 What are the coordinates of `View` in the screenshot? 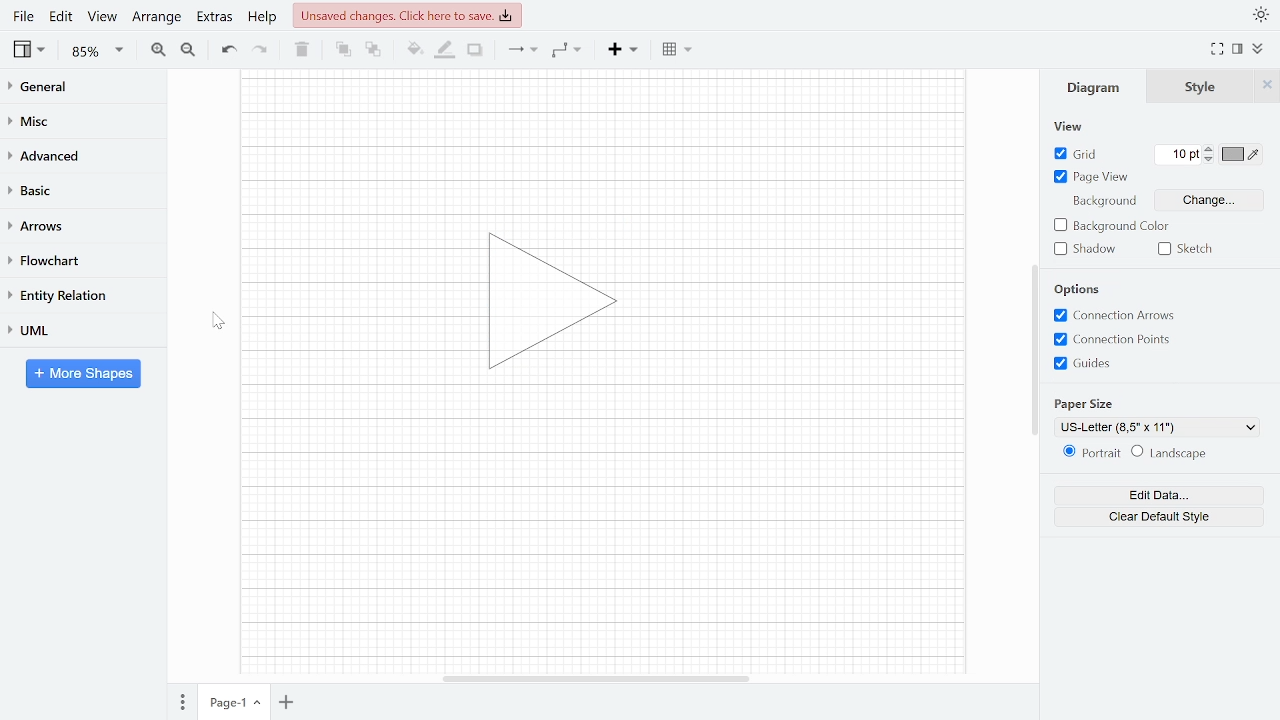 It's located at (31, 49).